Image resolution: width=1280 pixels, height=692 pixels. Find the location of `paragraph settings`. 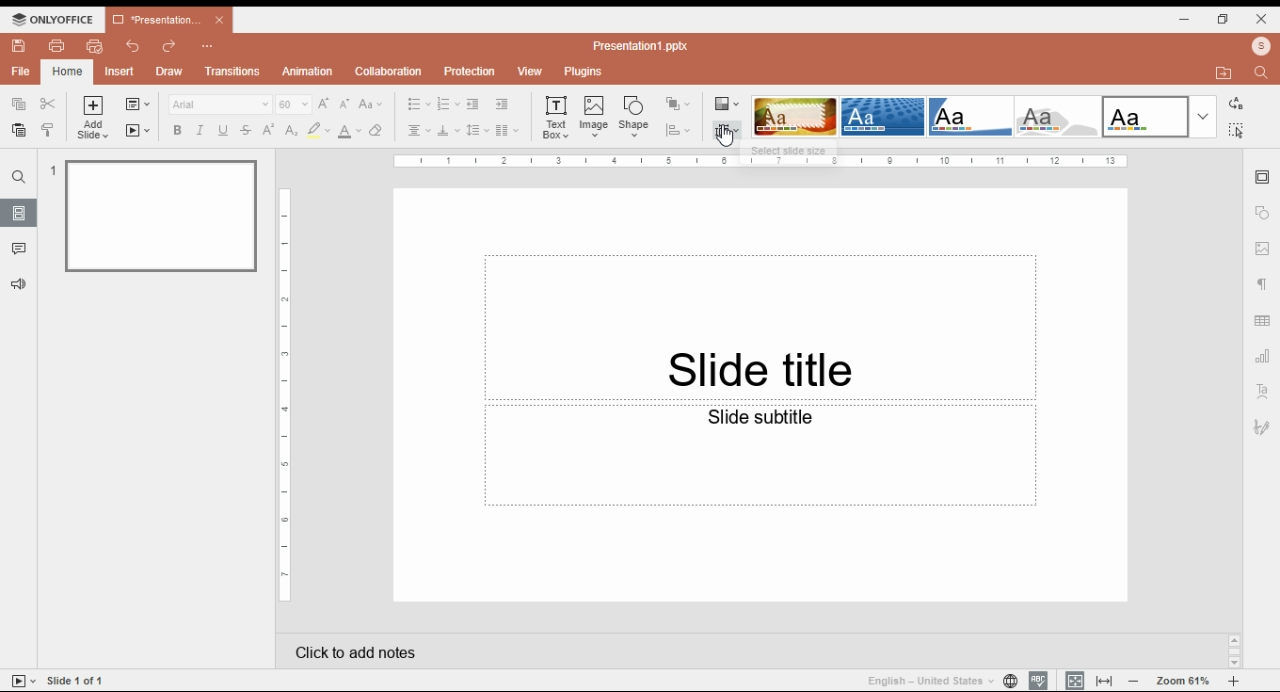

paragraph settings is located at coordinates (1265, 287).